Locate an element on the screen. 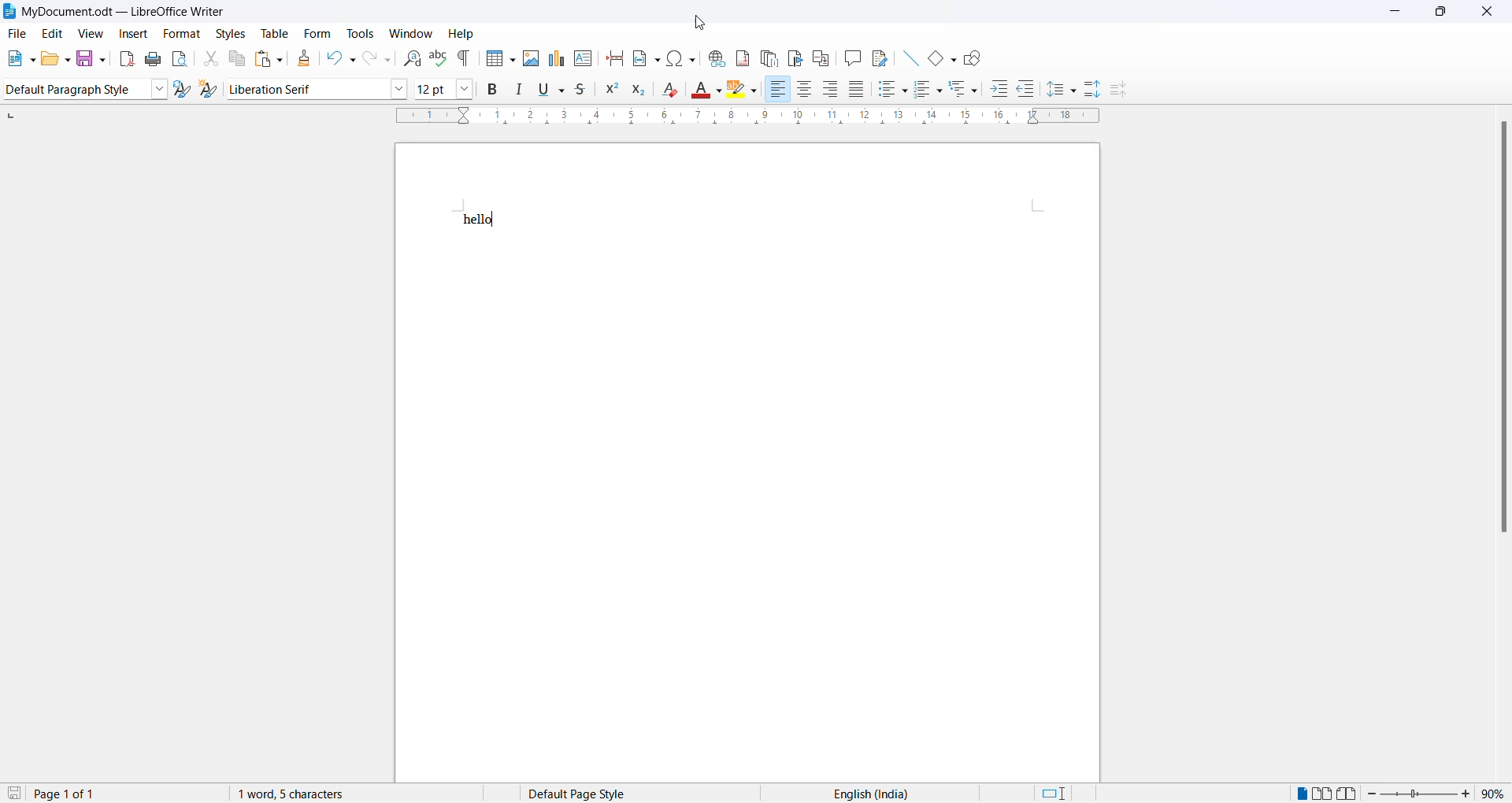 The height and width of the screenshot is (803, 1512). Clone formatting is located at coordinates (300, 58).